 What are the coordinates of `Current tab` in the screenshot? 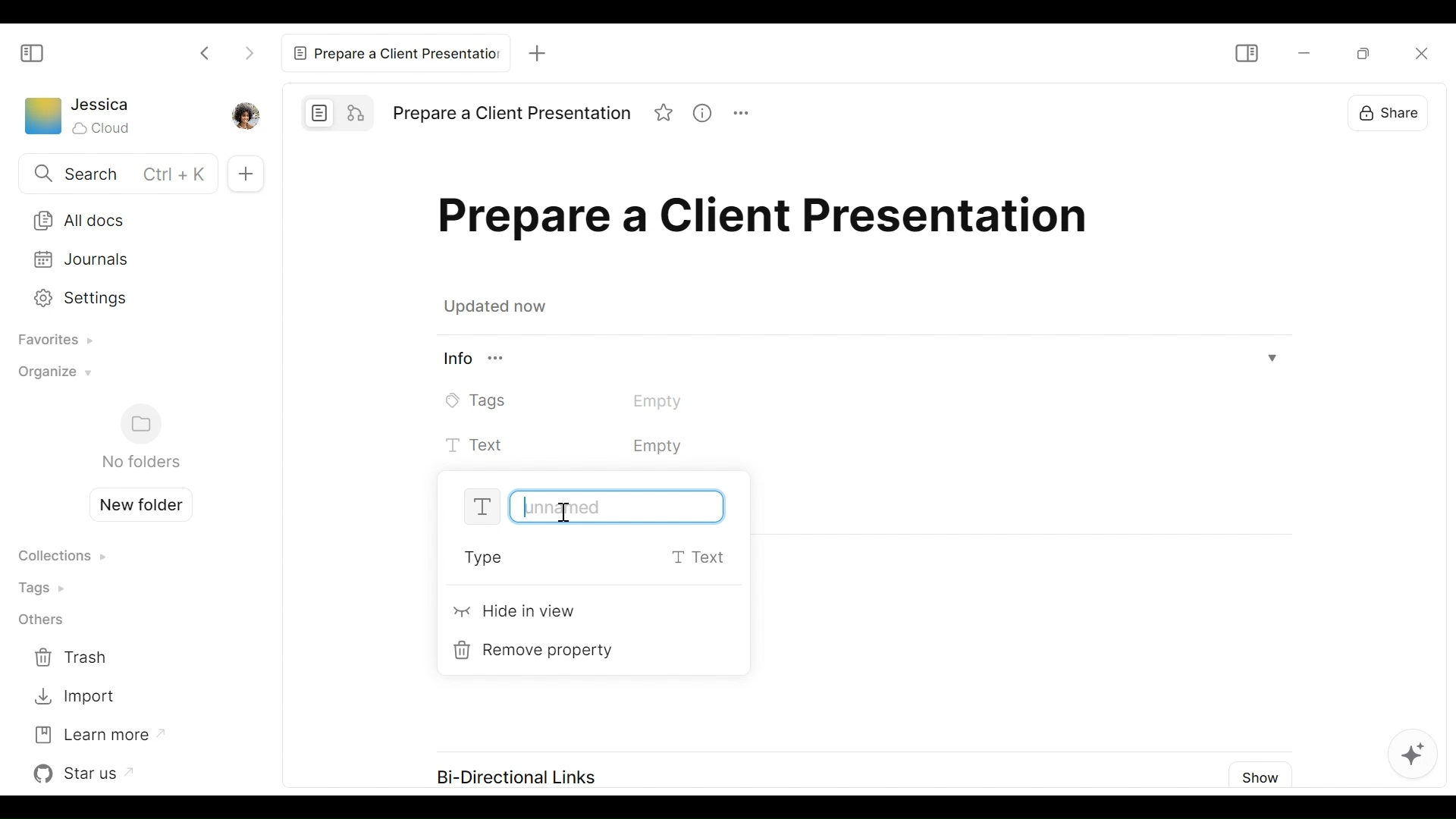 It's located at (397, 51).